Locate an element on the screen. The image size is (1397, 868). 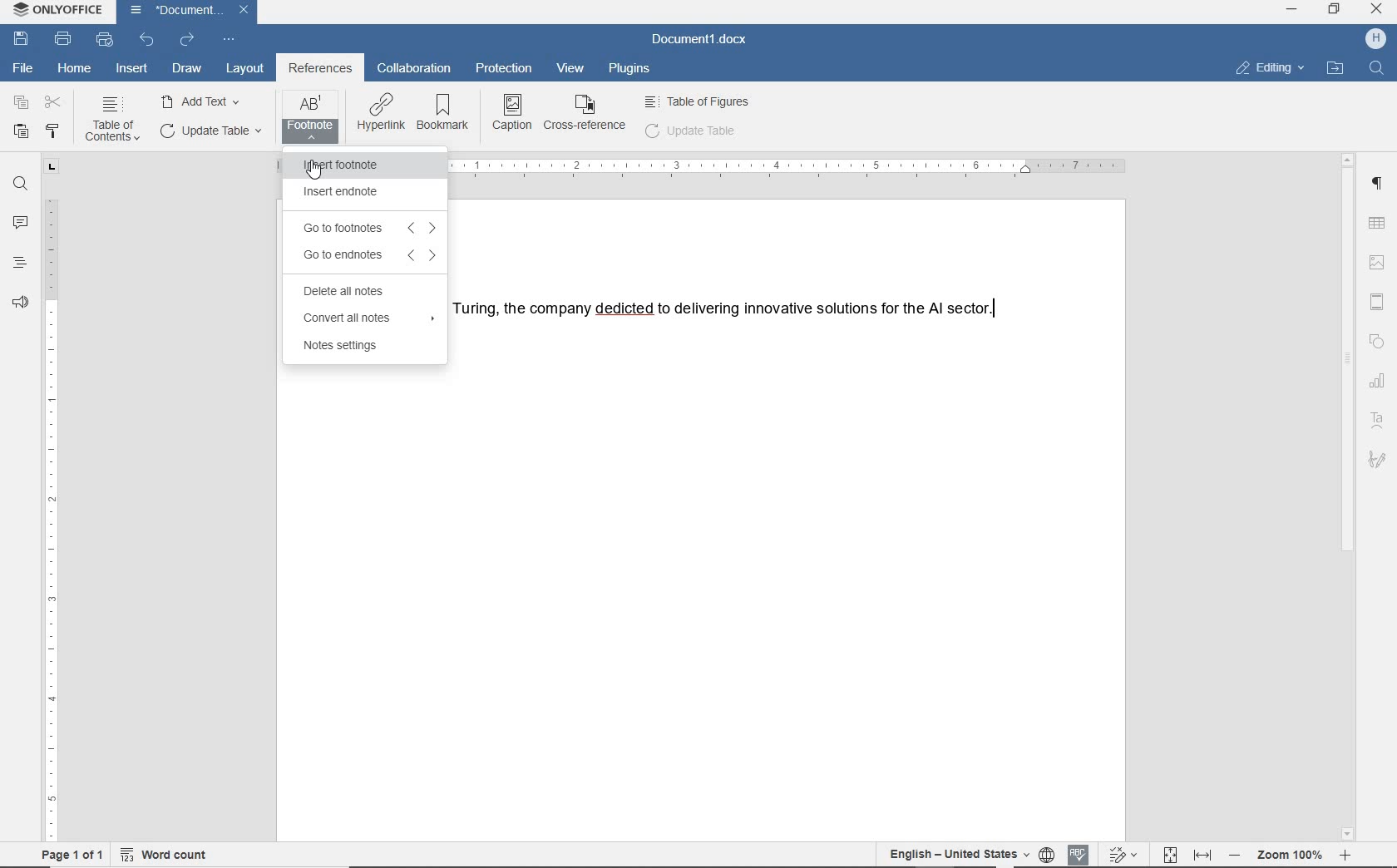
HEADER & FOOTERS is located at coordinates (1380, 299).